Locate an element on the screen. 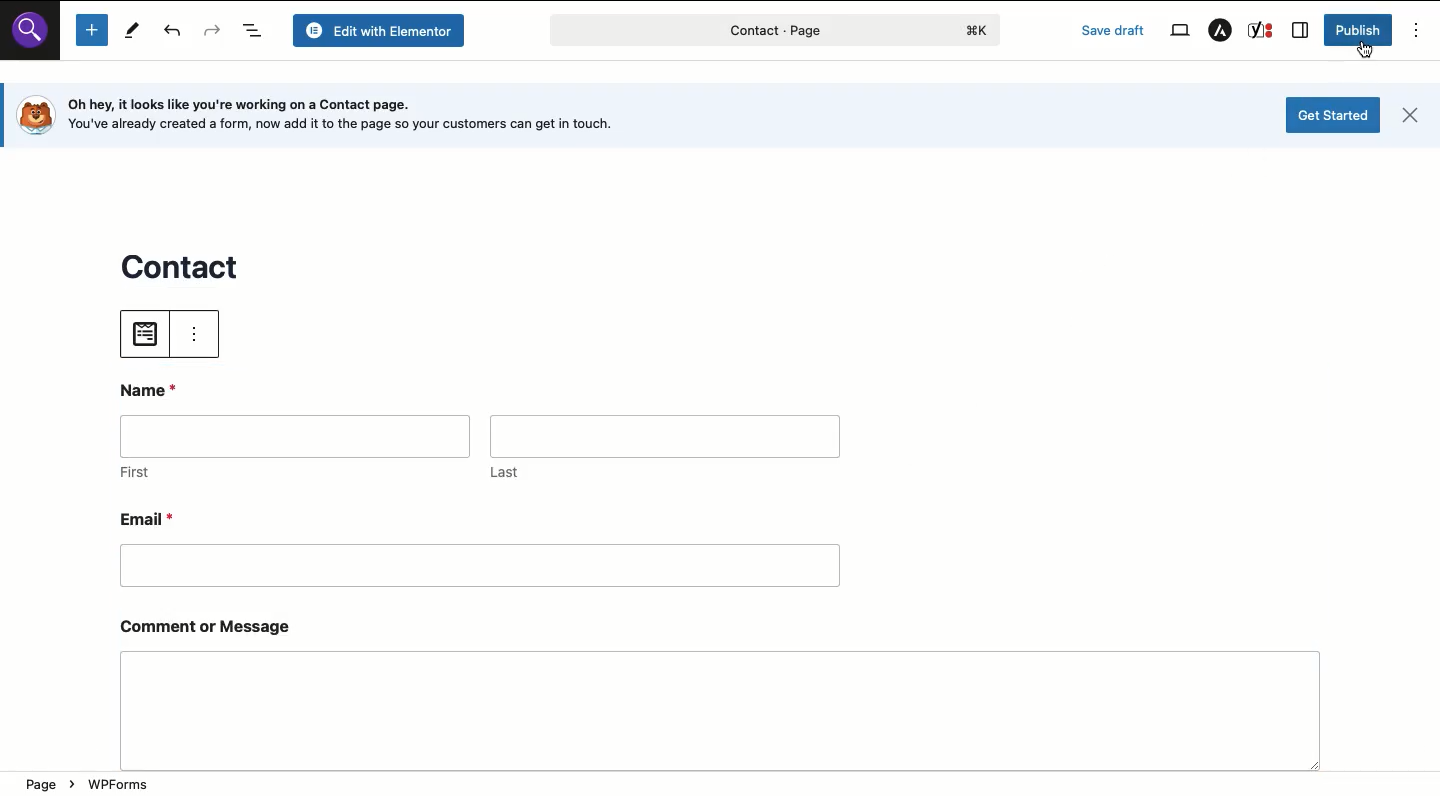  Options is located at coordinates (1417, 30).